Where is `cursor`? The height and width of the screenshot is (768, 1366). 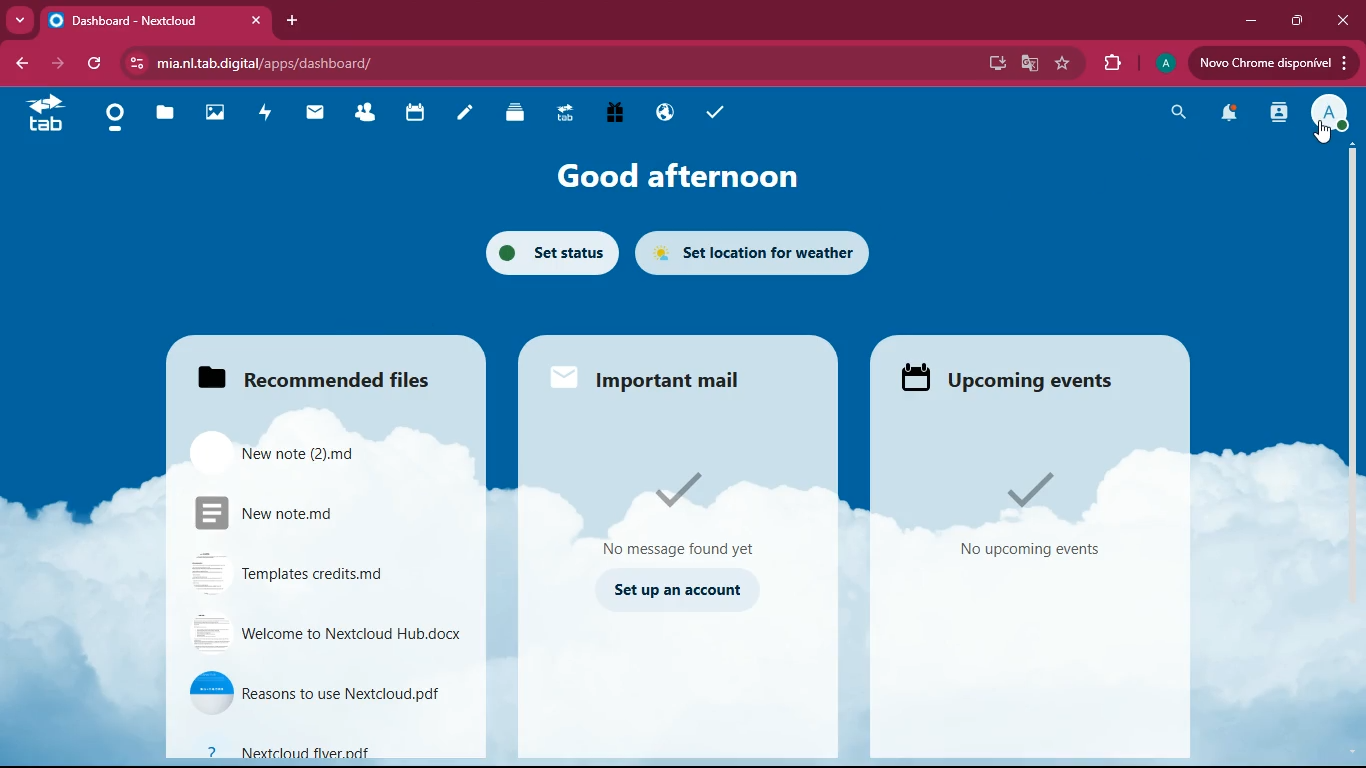 cursor is located at coordinates (1322, 129).